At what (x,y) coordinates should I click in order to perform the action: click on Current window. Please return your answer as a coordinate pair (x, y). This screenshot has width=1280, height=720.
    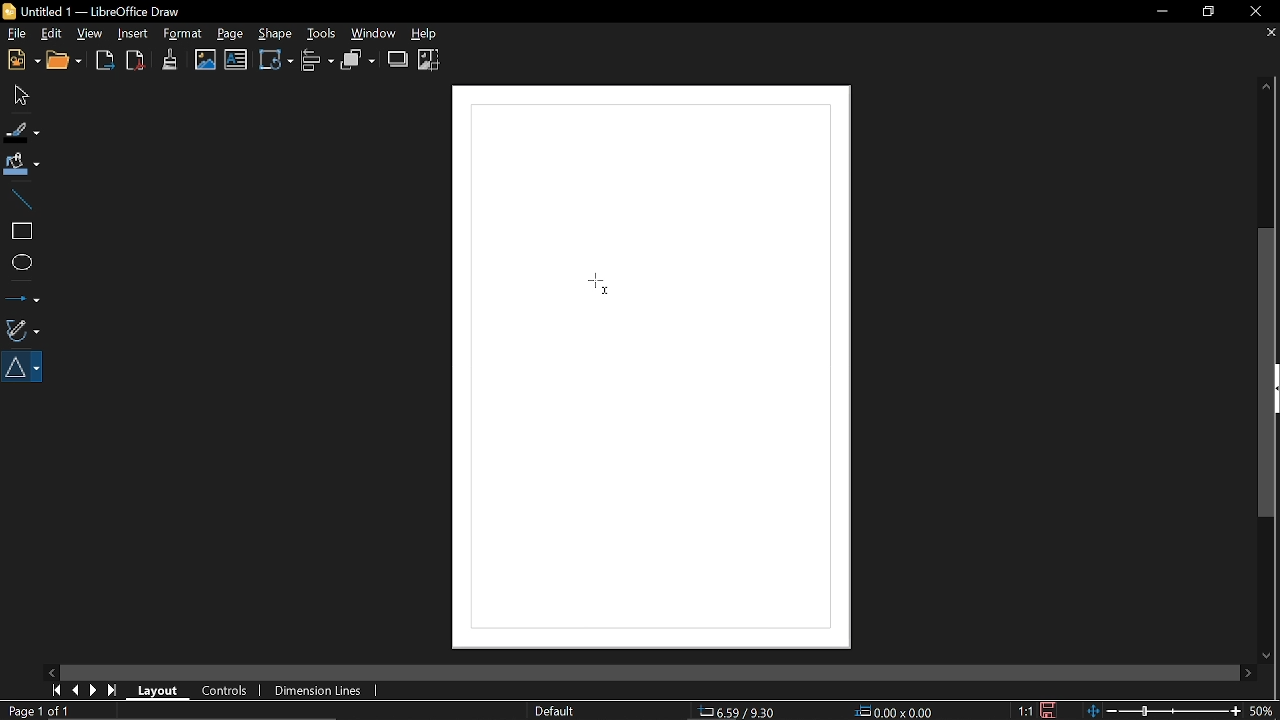
    Looking at the image, I should click on (100, 10).